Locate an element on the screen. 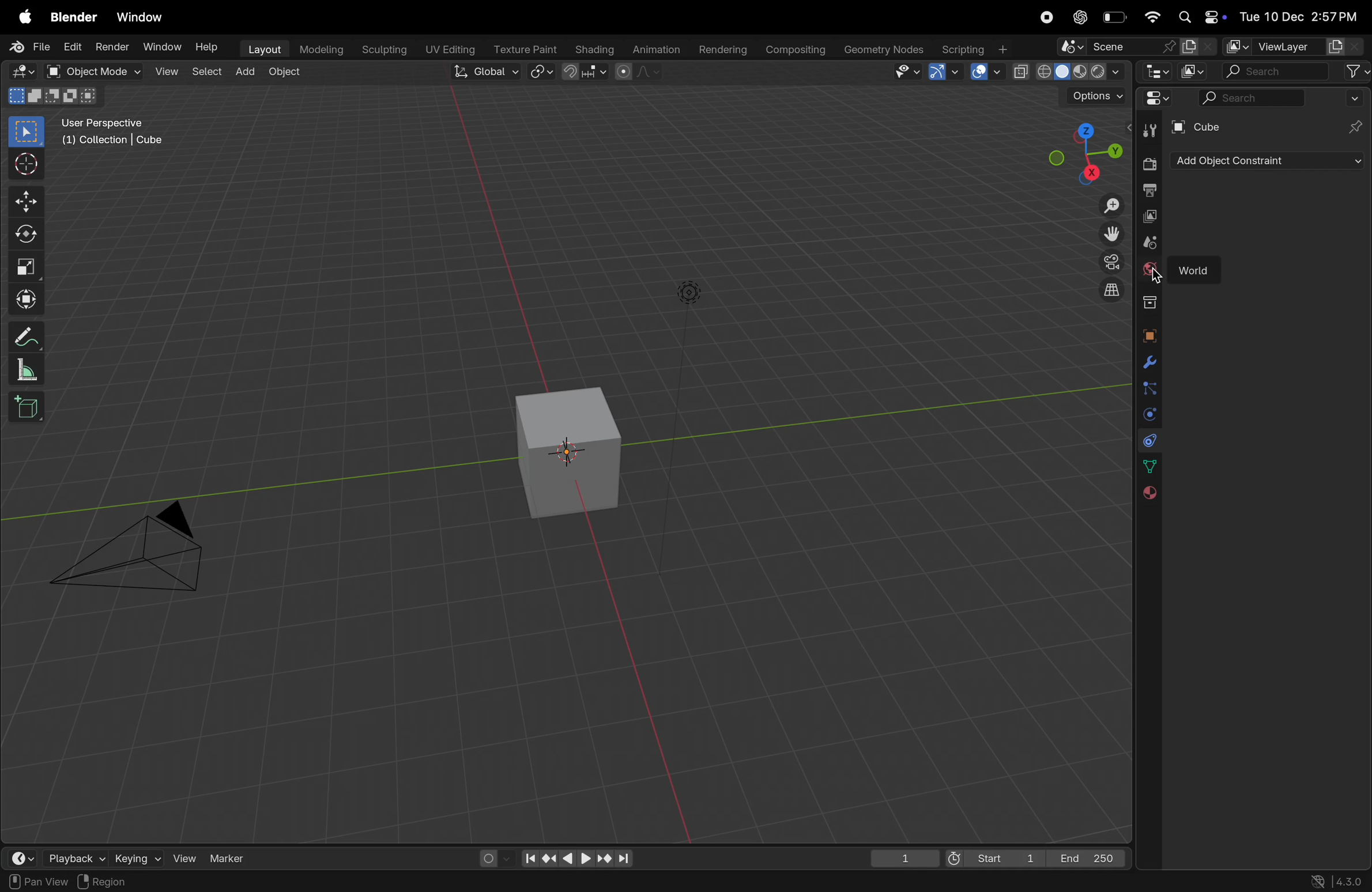 This screenshot has height=892, width=1372. Help is located at coordinates (206, 47).